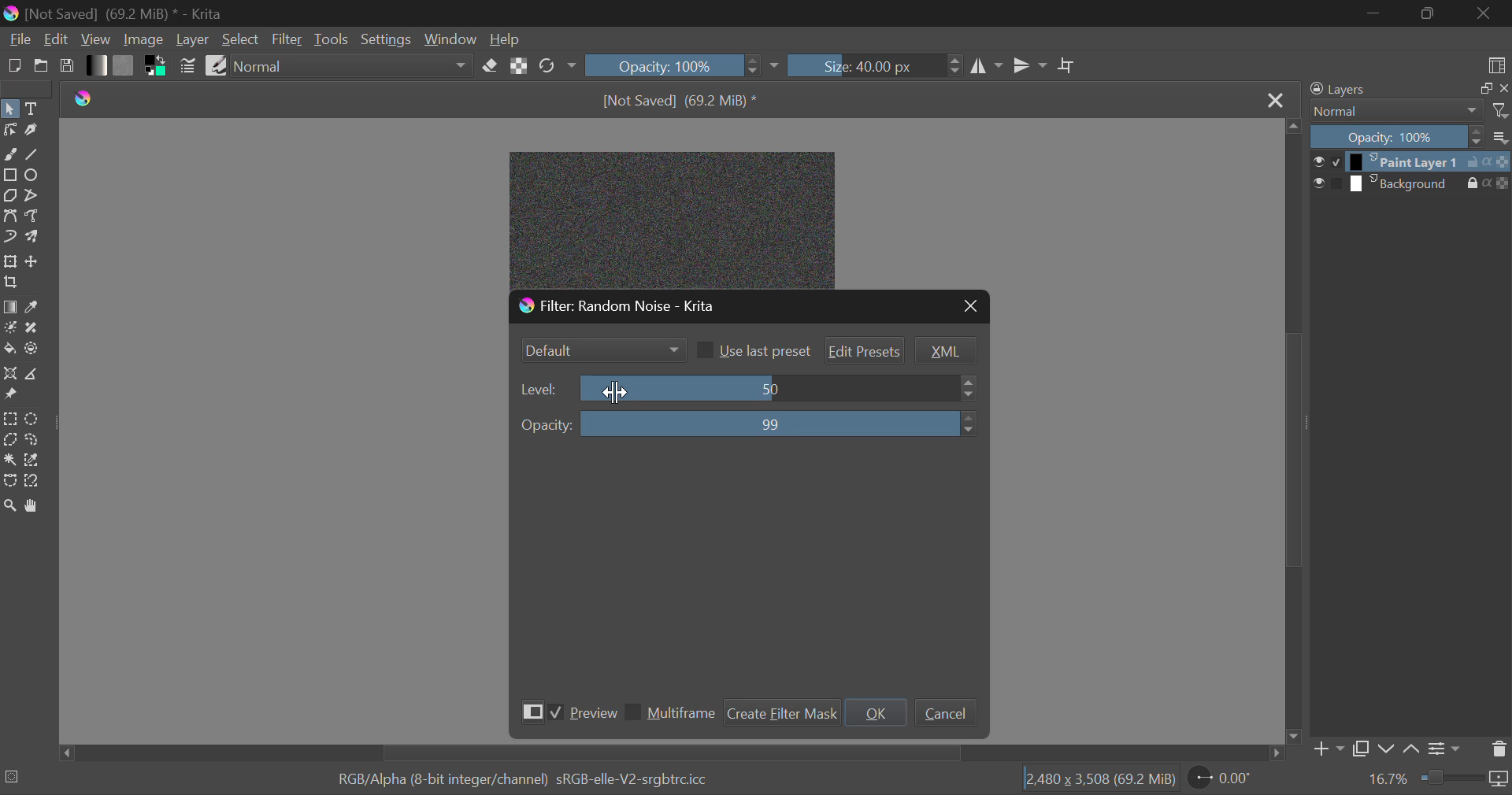 This screenshot has width=1512, height=795. What do you see at coordinates (32, 217) in the screenshot?
I see `Freehand Path Tool` at bounding box center [32, 217].